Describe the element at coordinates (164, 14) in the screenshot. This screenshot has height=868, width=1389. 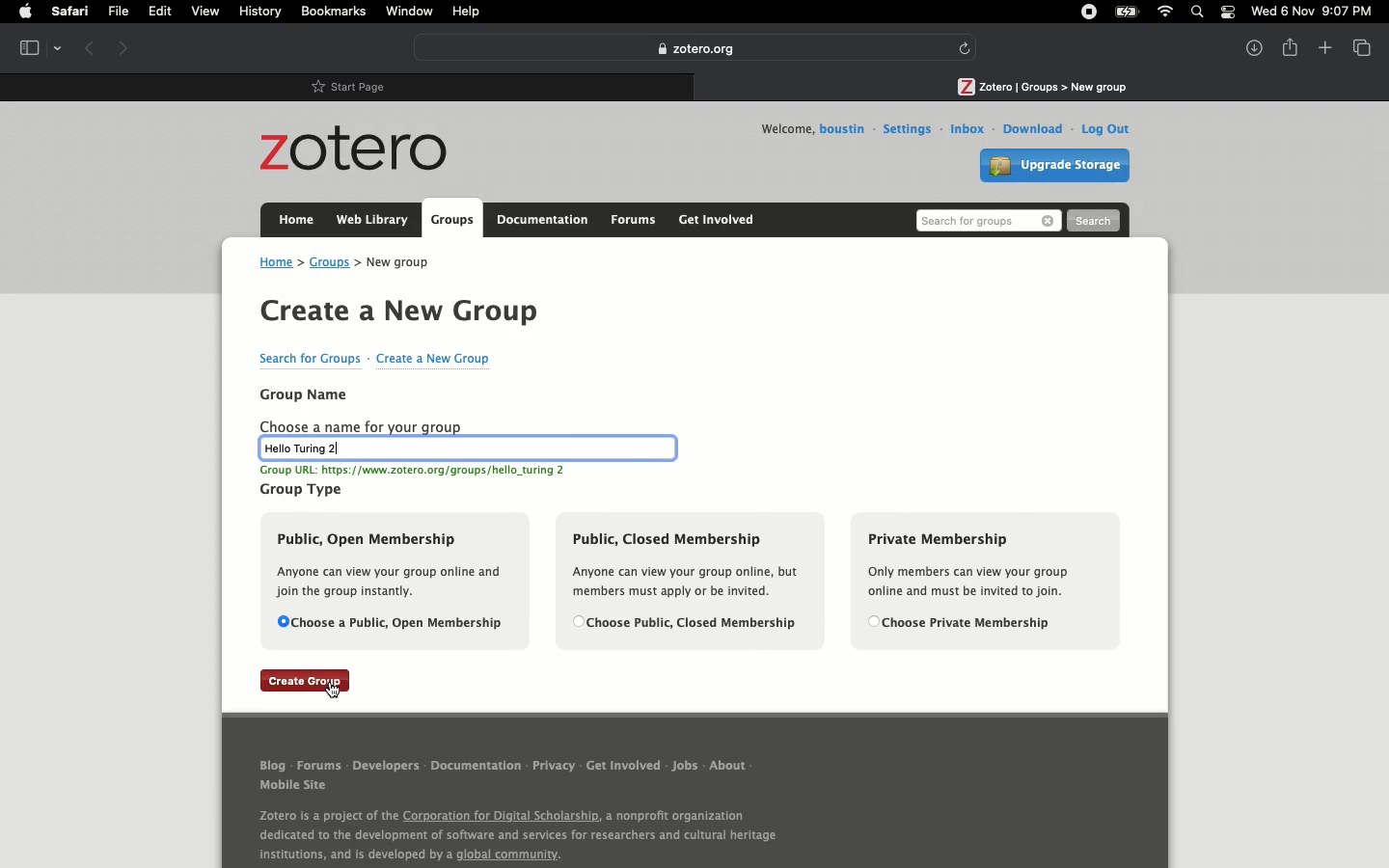
I see `Edit` at that location.